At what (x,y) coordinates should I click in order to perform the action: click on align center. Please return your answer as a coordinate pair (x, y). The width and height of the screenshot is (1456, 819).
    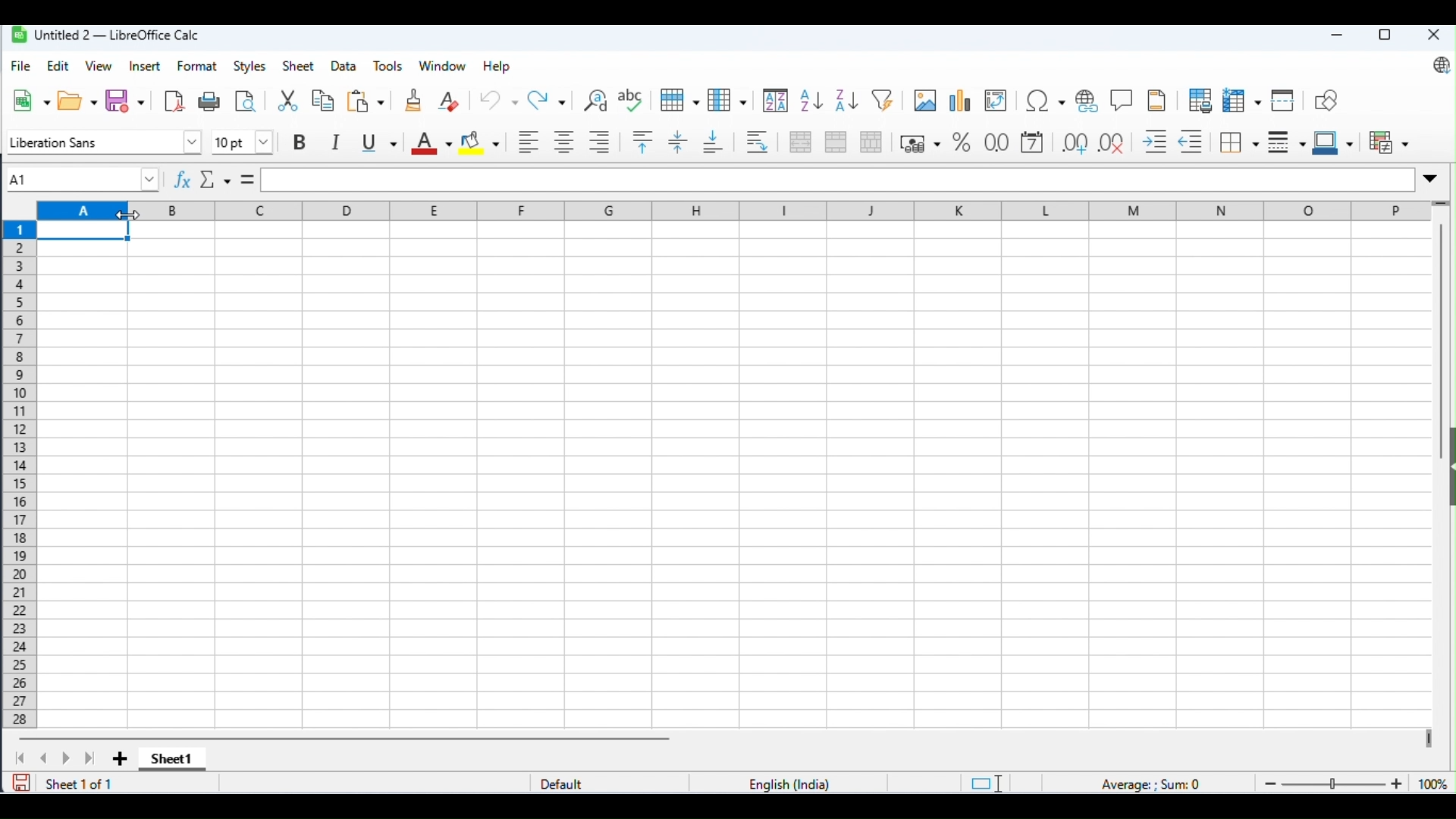
    Looking at the image, I should click on (564, 141).